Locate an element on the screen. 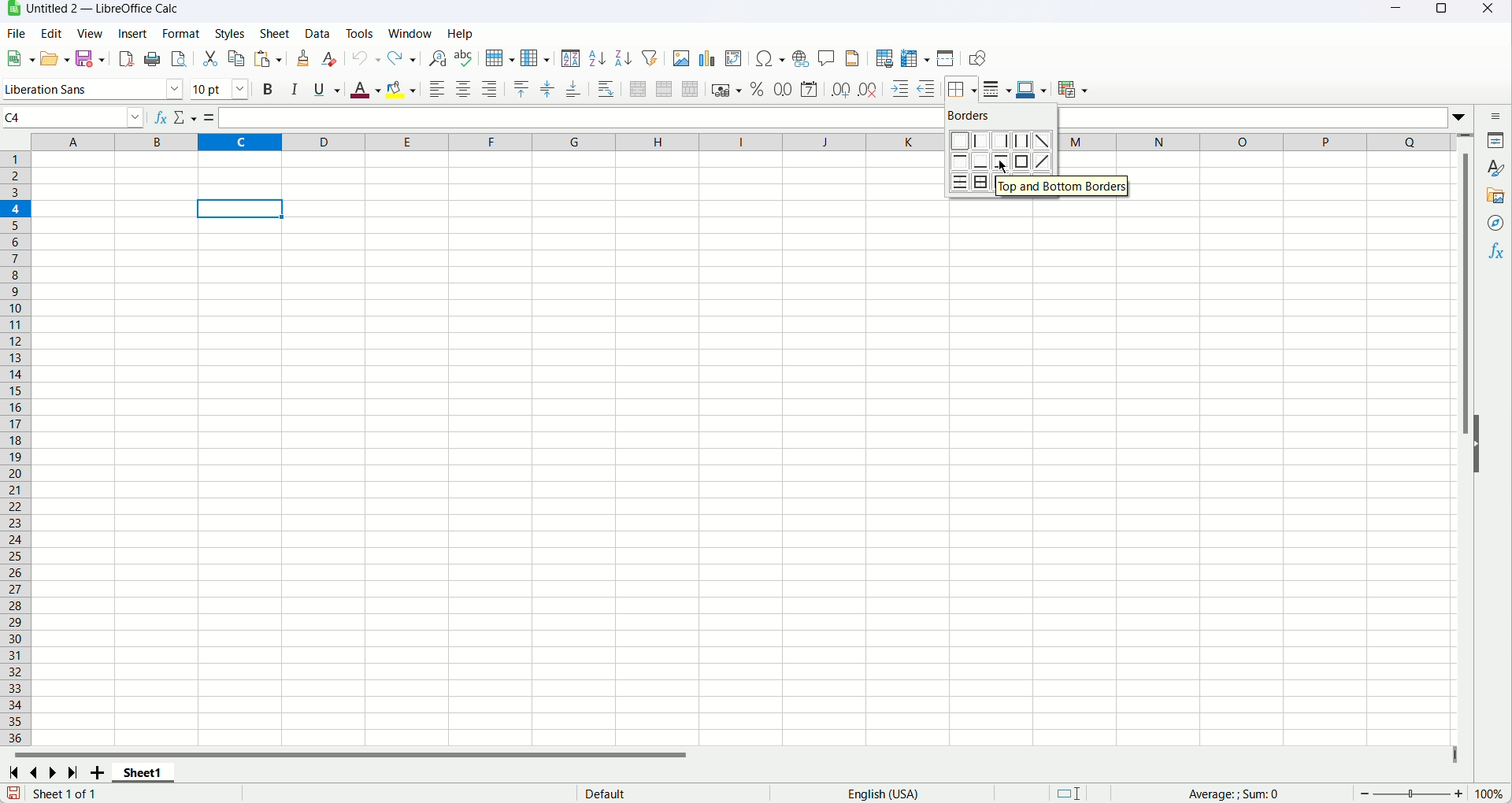 This screenshot has width=1512, height=803. Font size is located at coordinates (220, 89).